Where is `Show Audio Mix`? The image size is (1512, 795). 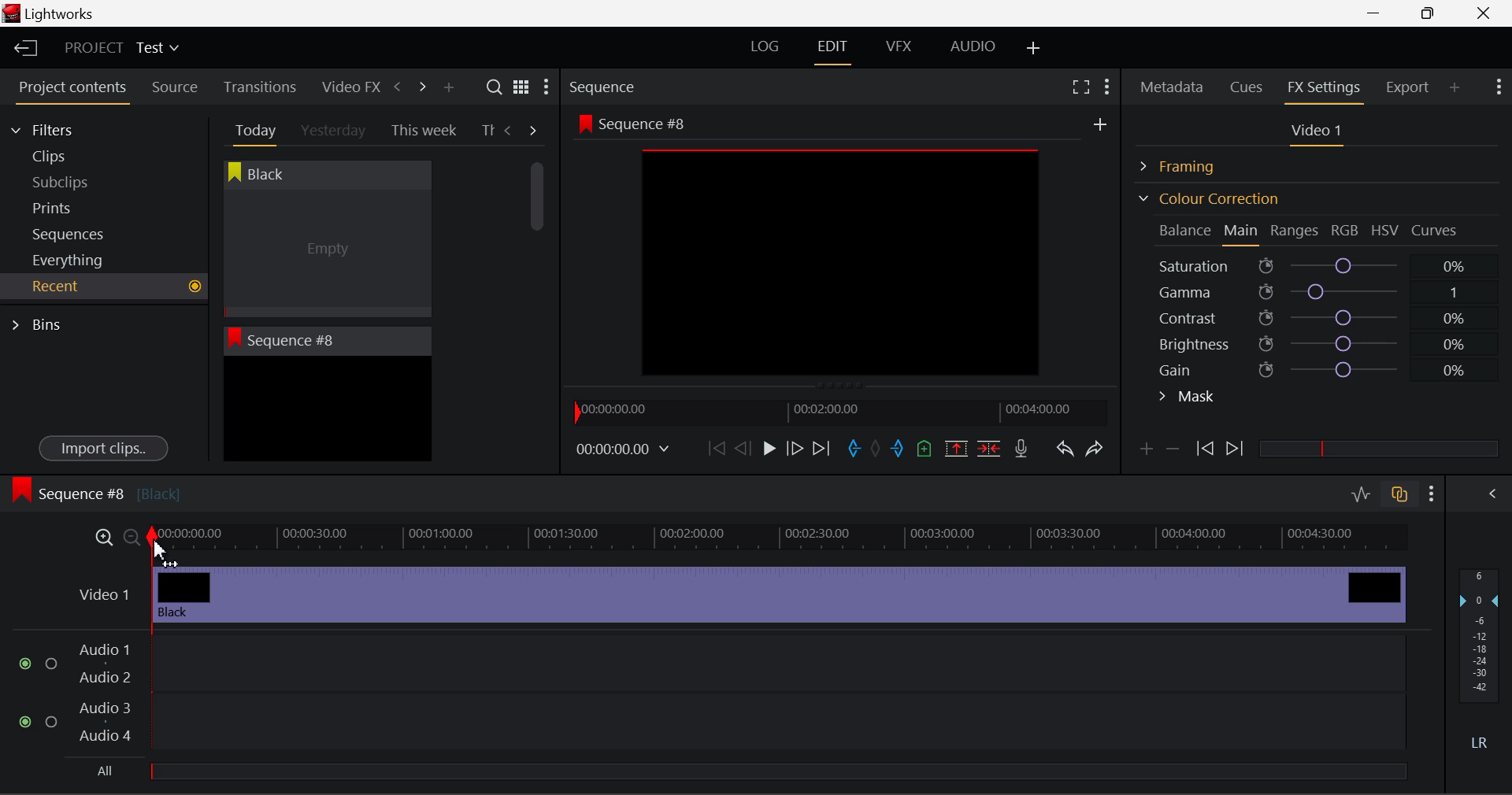 Show Audio Mix is located at coordinates (1494, 492).